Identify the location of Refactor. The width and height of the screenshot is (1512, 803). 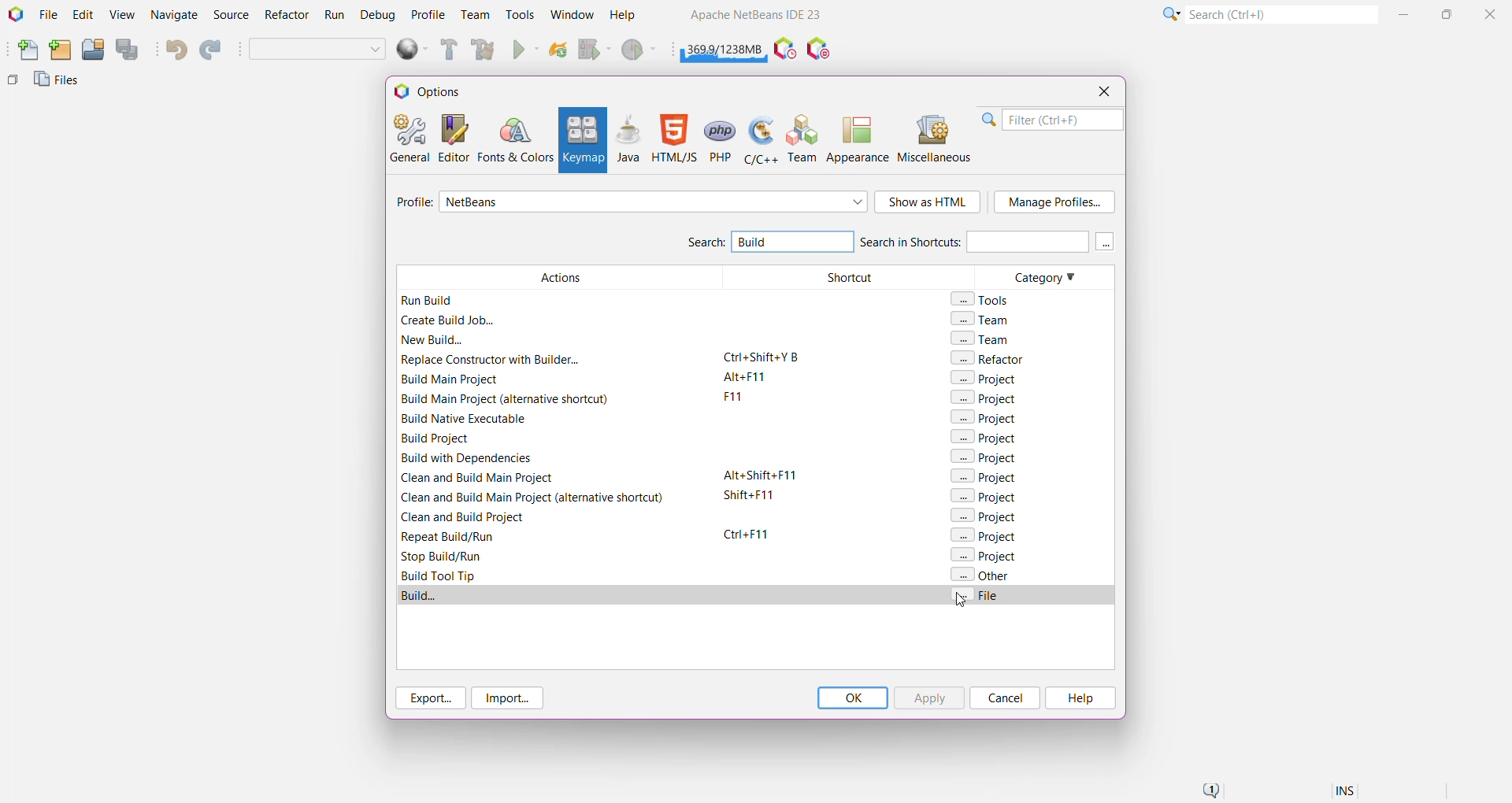
(288, 17).